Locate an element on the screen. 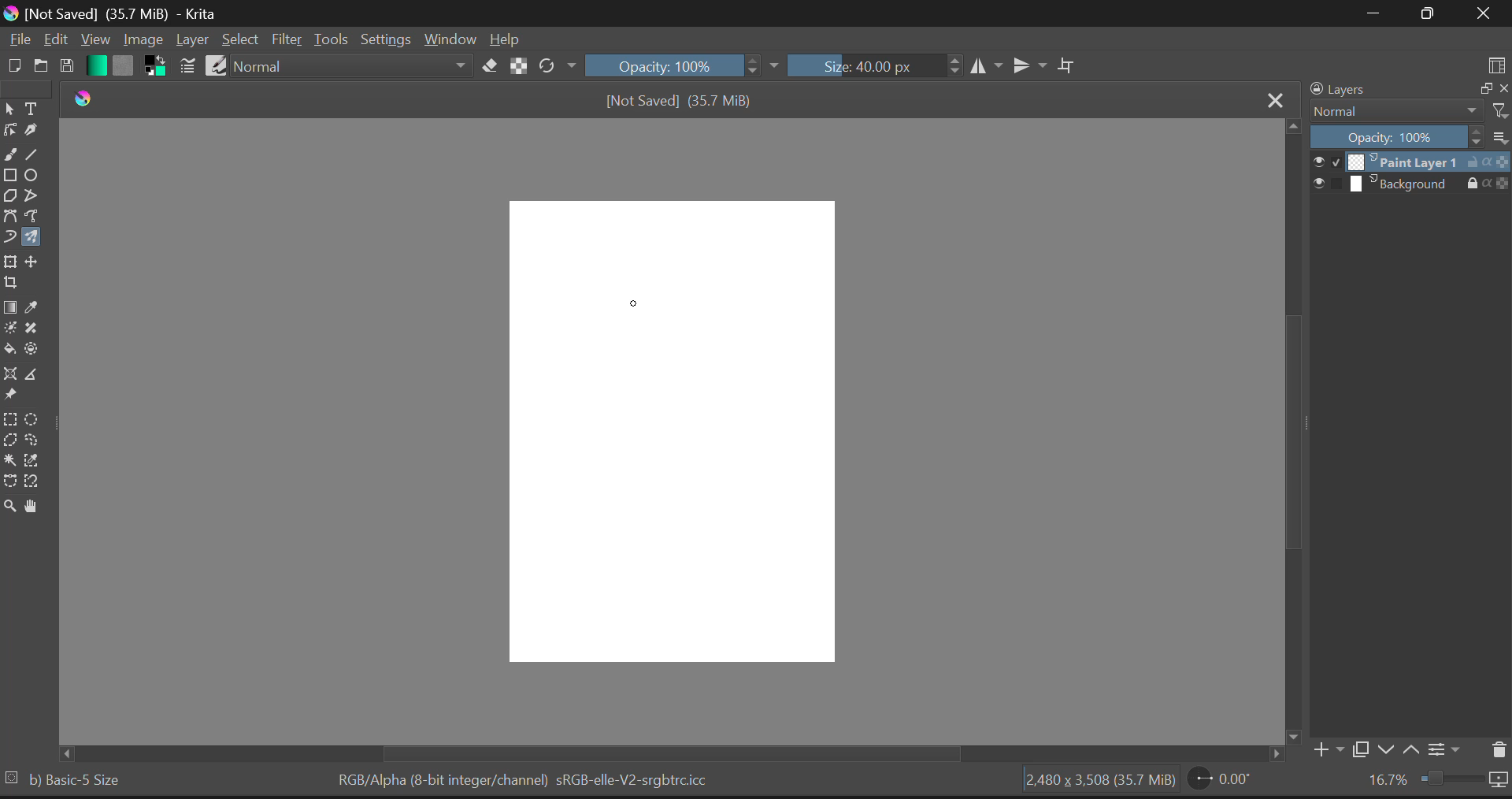 The height and width of the screenshot is (799, 1512). 16.7% is located at coordinates (1432, 783).